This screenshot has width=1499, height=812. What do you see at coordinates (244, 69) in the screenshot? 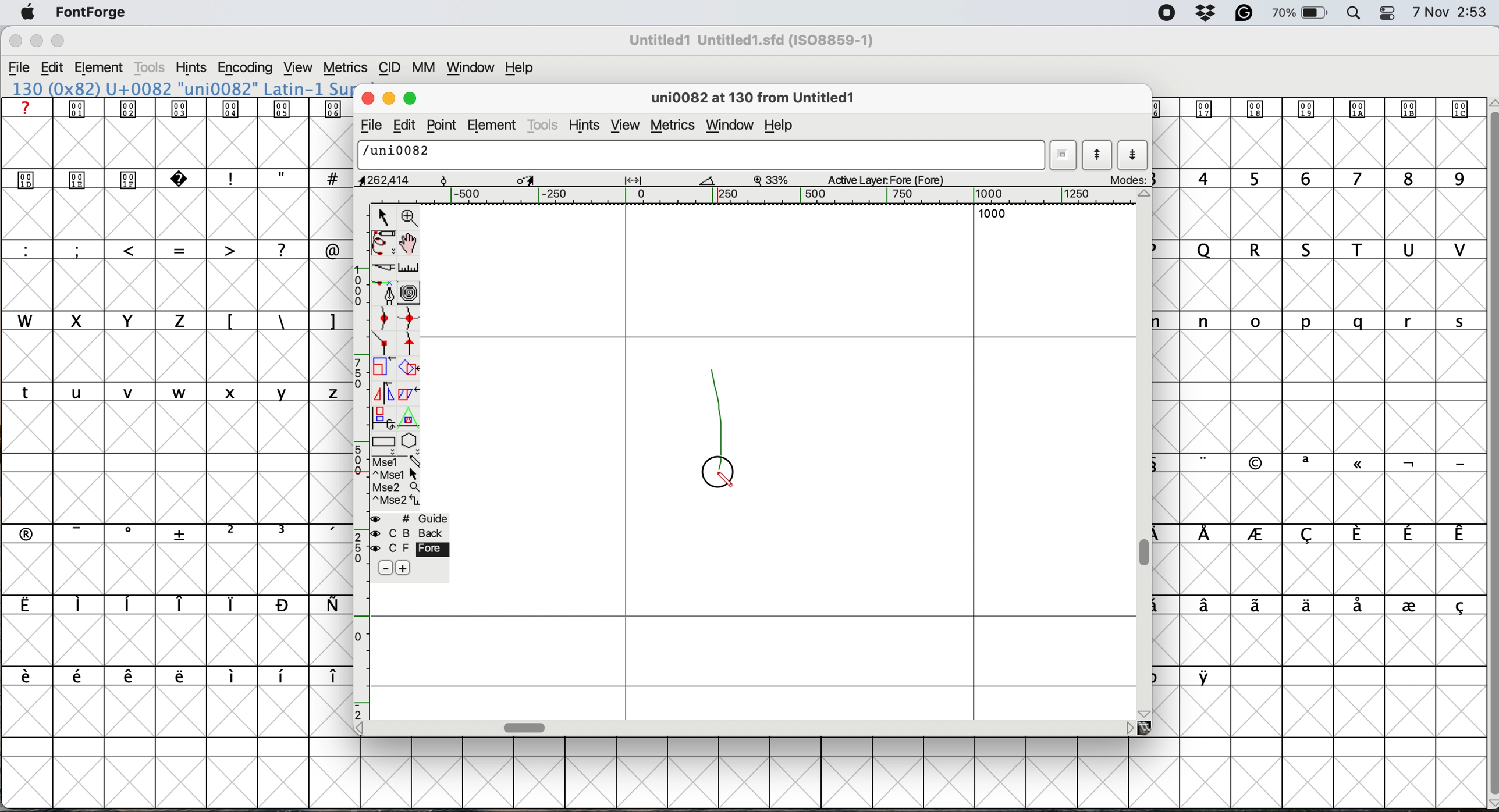
I see `encoding` at bounding box center [244, 69].